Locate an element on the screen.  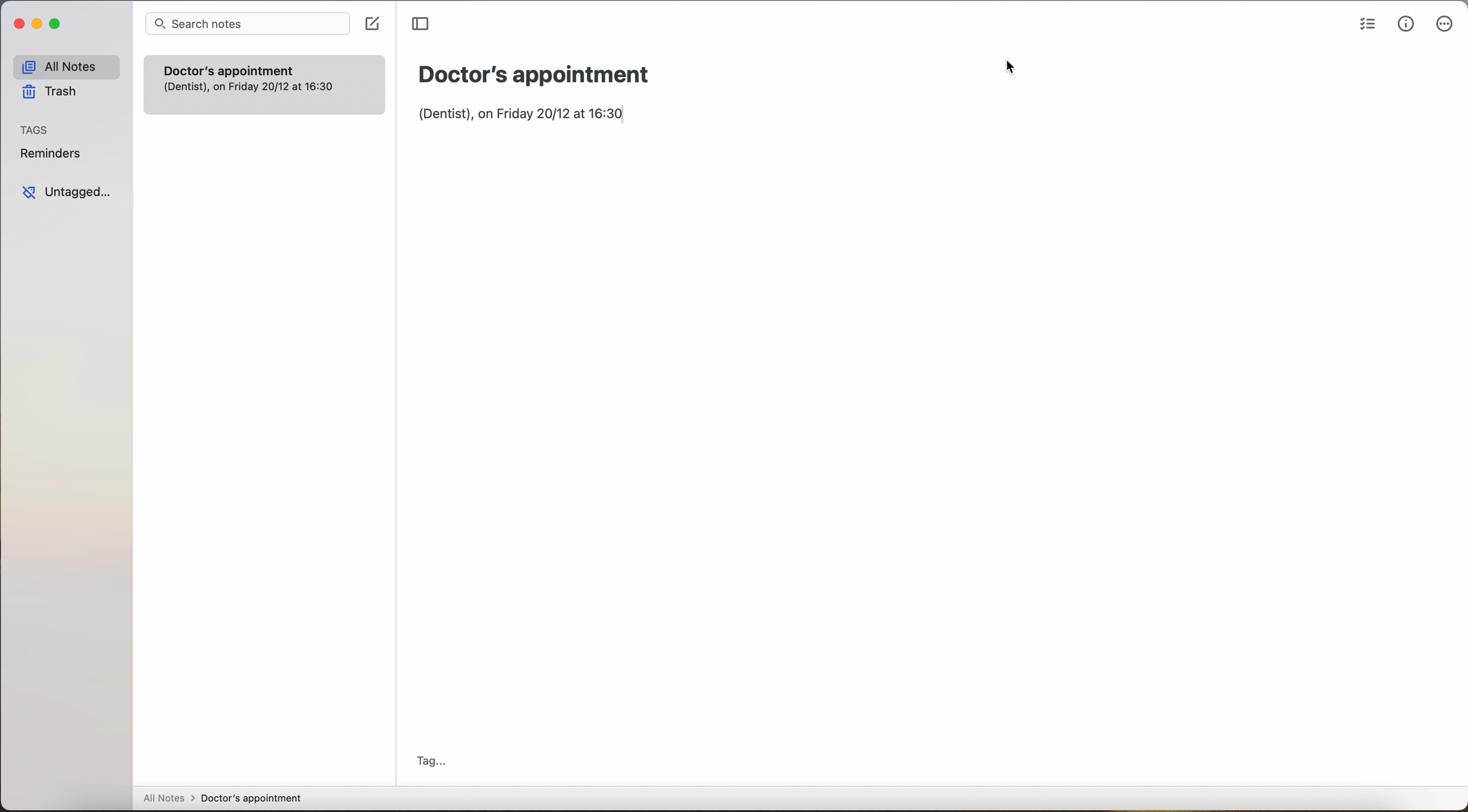
Search notes is located at coordinates (246, 23).